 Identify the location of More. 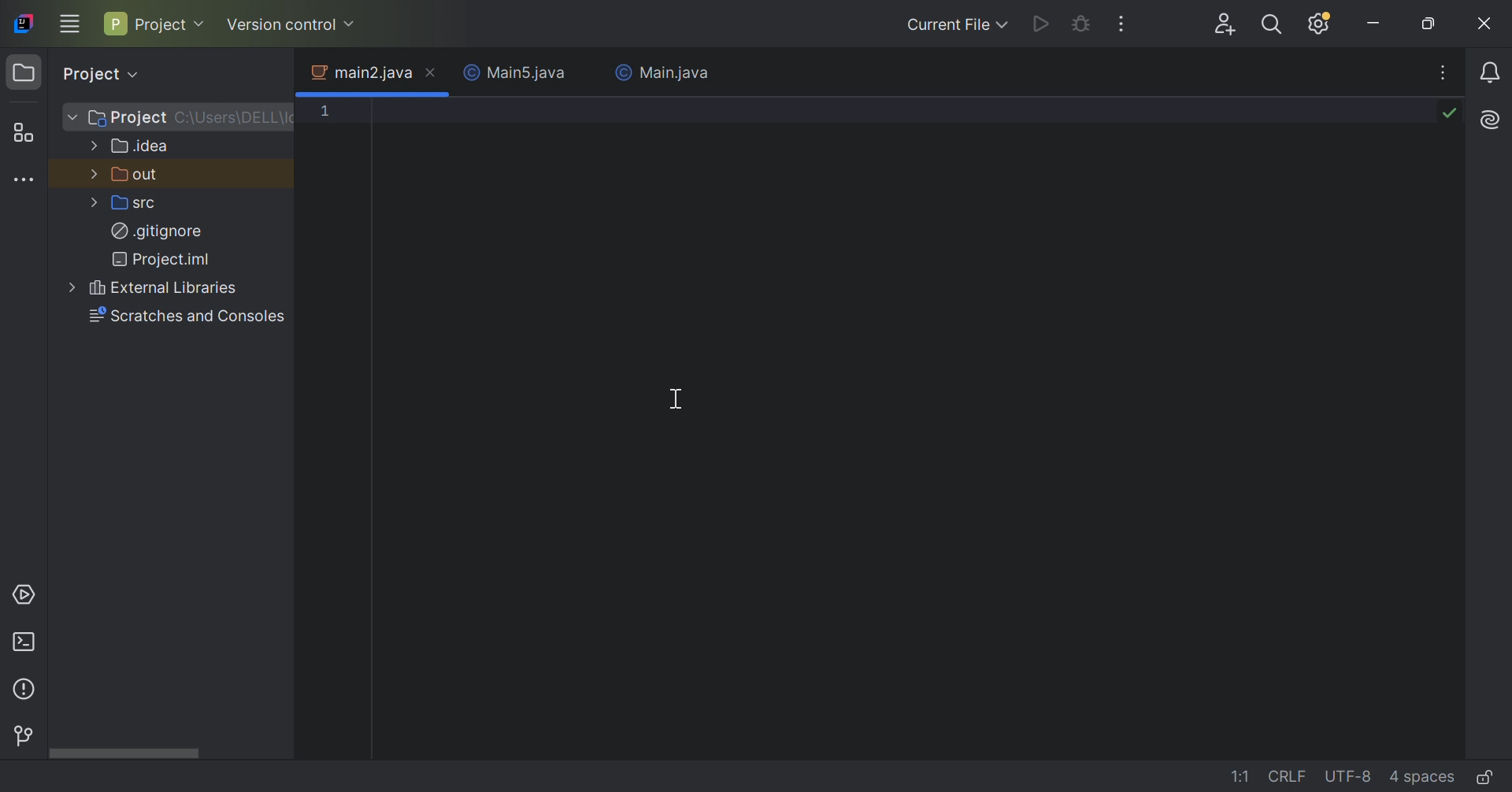
(92, 172).